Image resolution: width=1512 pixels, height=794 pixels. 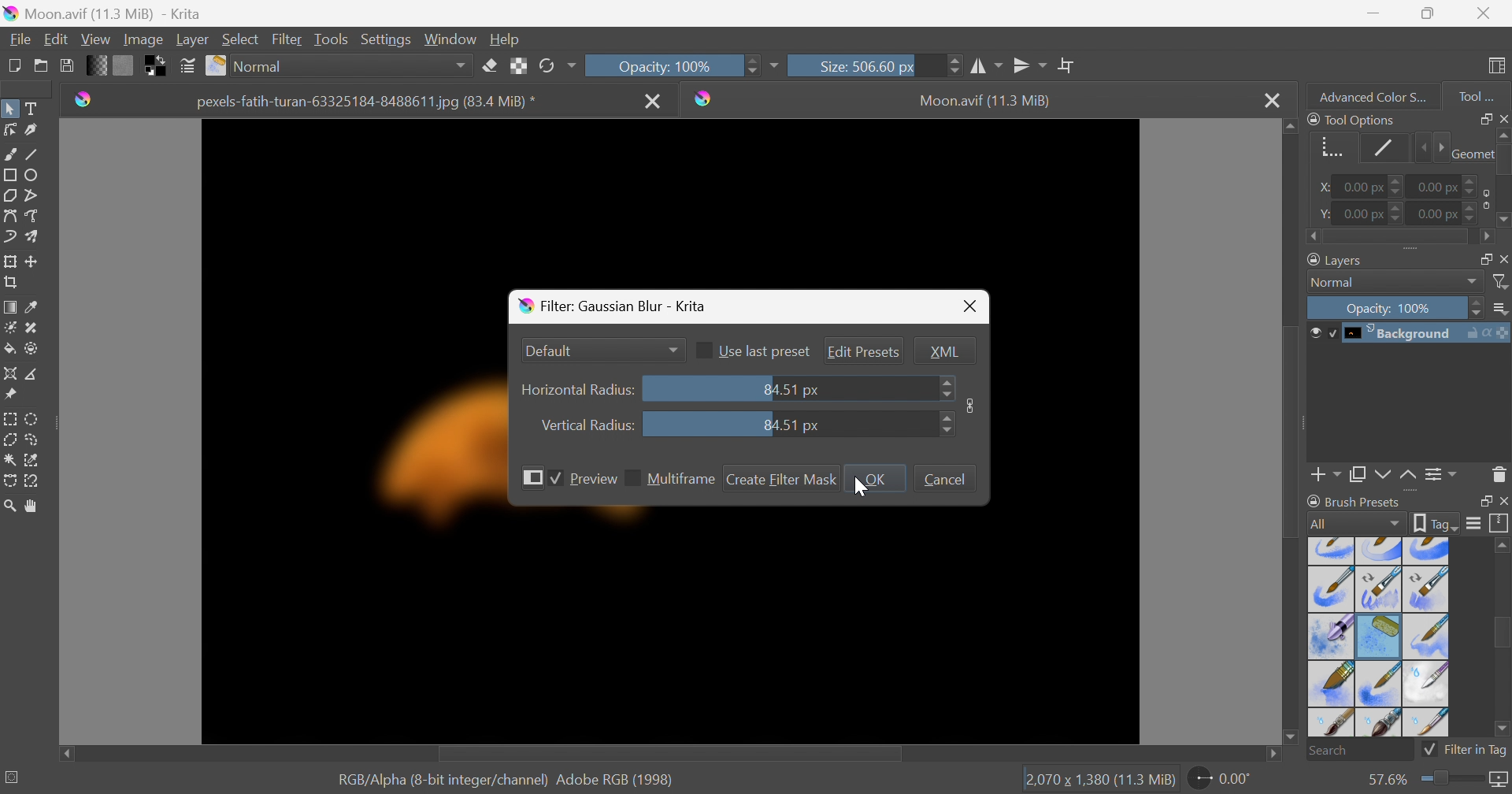 What do you see at coordinates (1359, 751) in the screenshot?
I see `Search` at bounding box center [1359, 751].